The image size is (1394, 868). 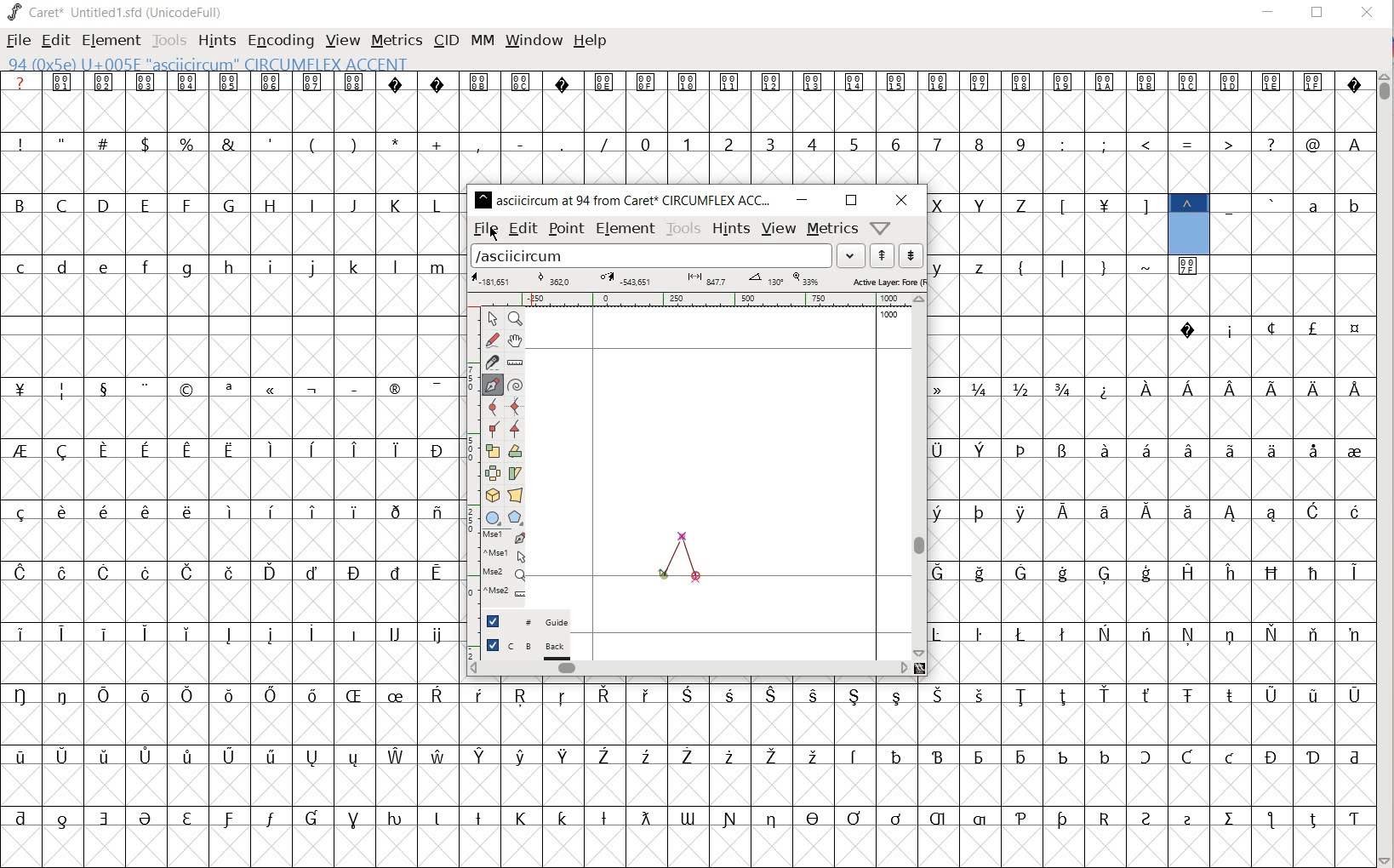 I want to click on show the next word on the list, so click(x=883, y=257).